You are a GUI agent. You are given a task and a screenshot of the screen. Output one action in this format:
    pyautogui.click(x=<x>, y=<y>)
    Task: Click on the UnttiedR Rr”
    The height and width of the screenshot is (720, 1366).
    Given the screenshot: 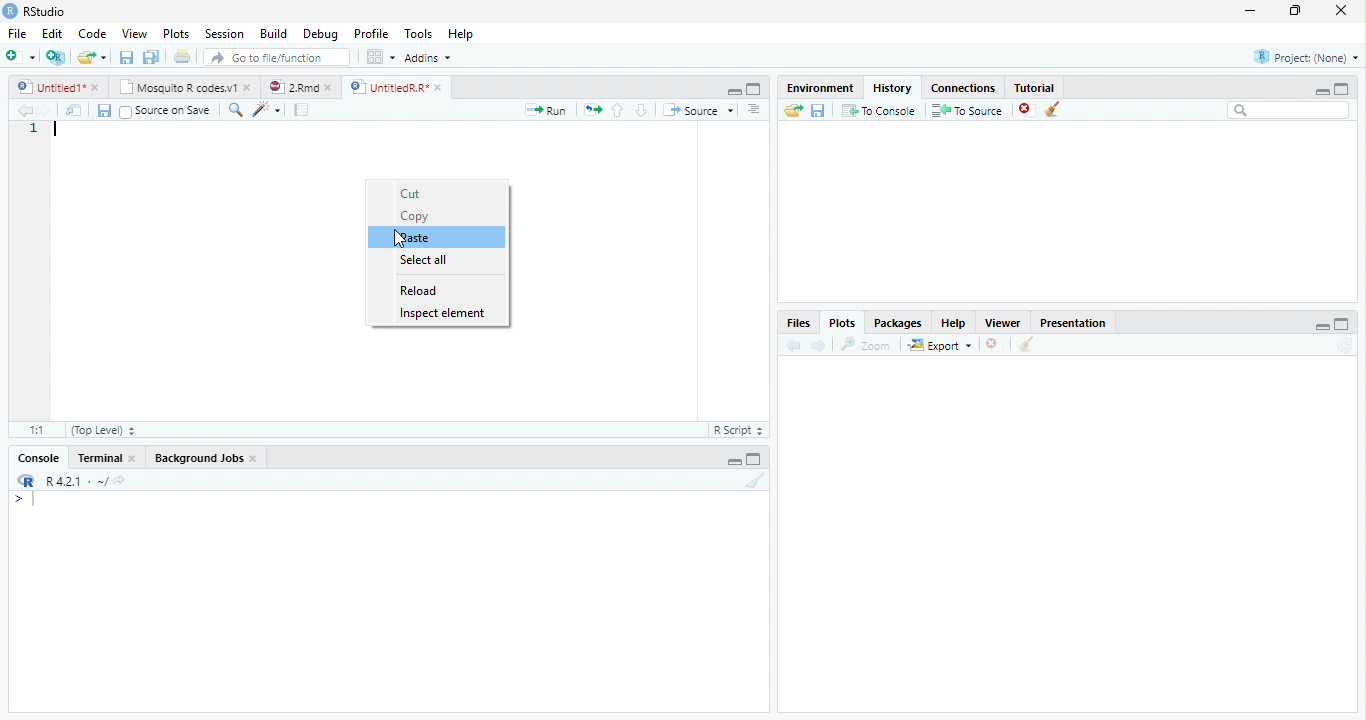 What is the action you would take?
    pyautogui.click(x=387, y=86)
    